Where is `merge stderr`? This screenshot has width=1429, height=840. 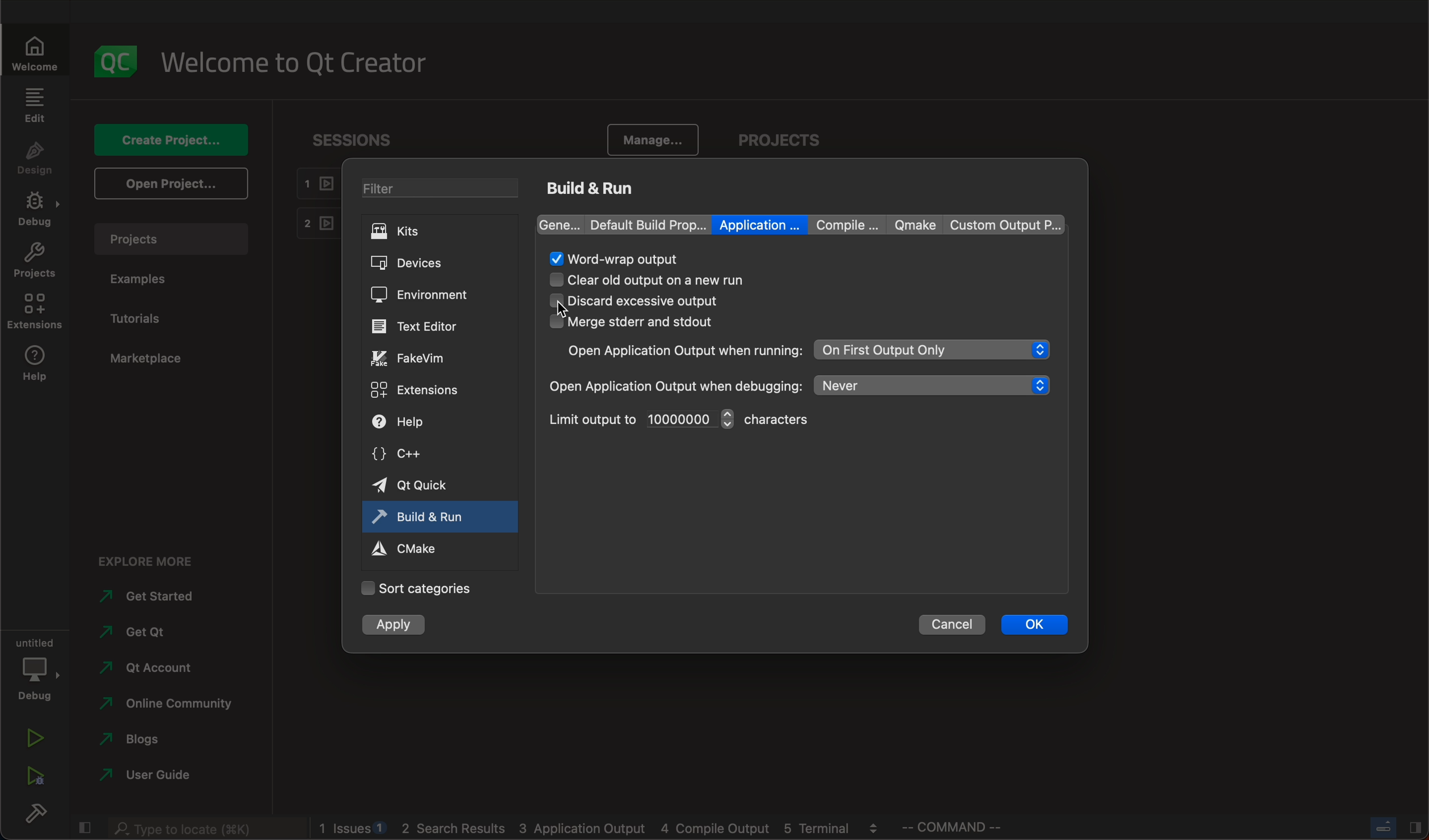 merge stderr is located at coordinates (644, 323).